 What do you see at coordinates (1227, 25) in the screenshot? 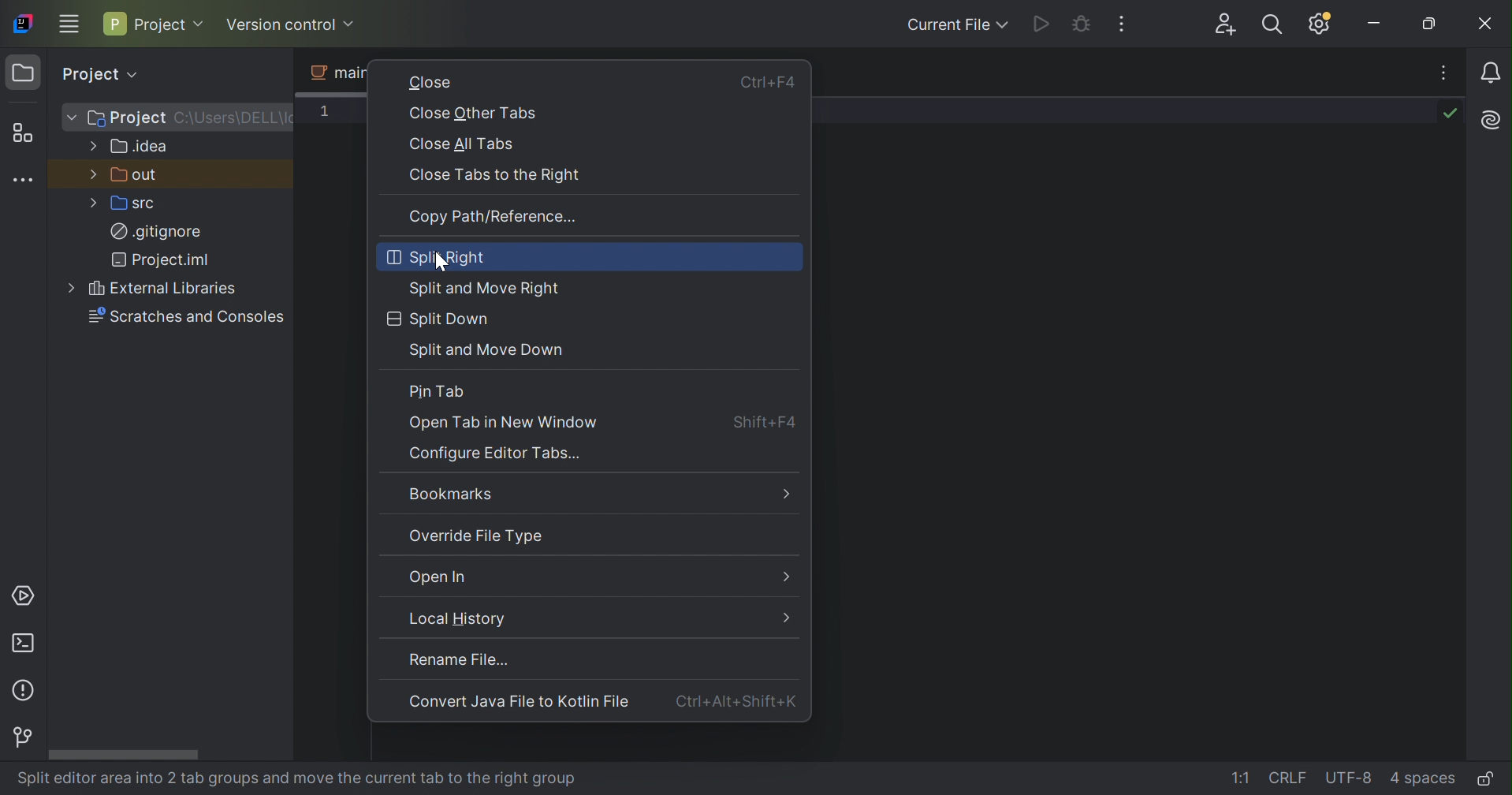
I see `Code with me` at bounding box center [1227, 25].